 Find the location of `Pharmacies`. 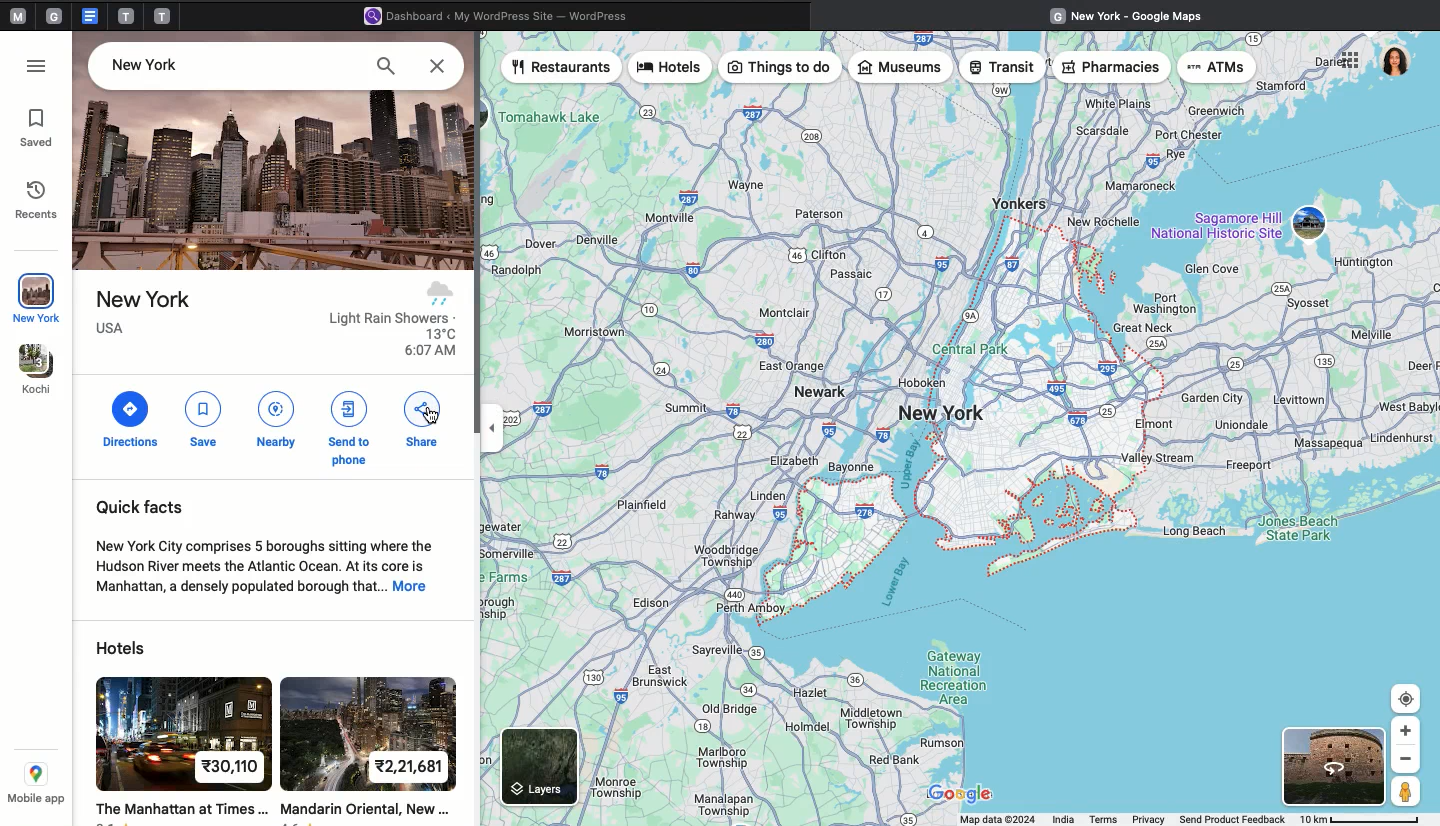

Pharmacies is located at coordinates (1111, 69).